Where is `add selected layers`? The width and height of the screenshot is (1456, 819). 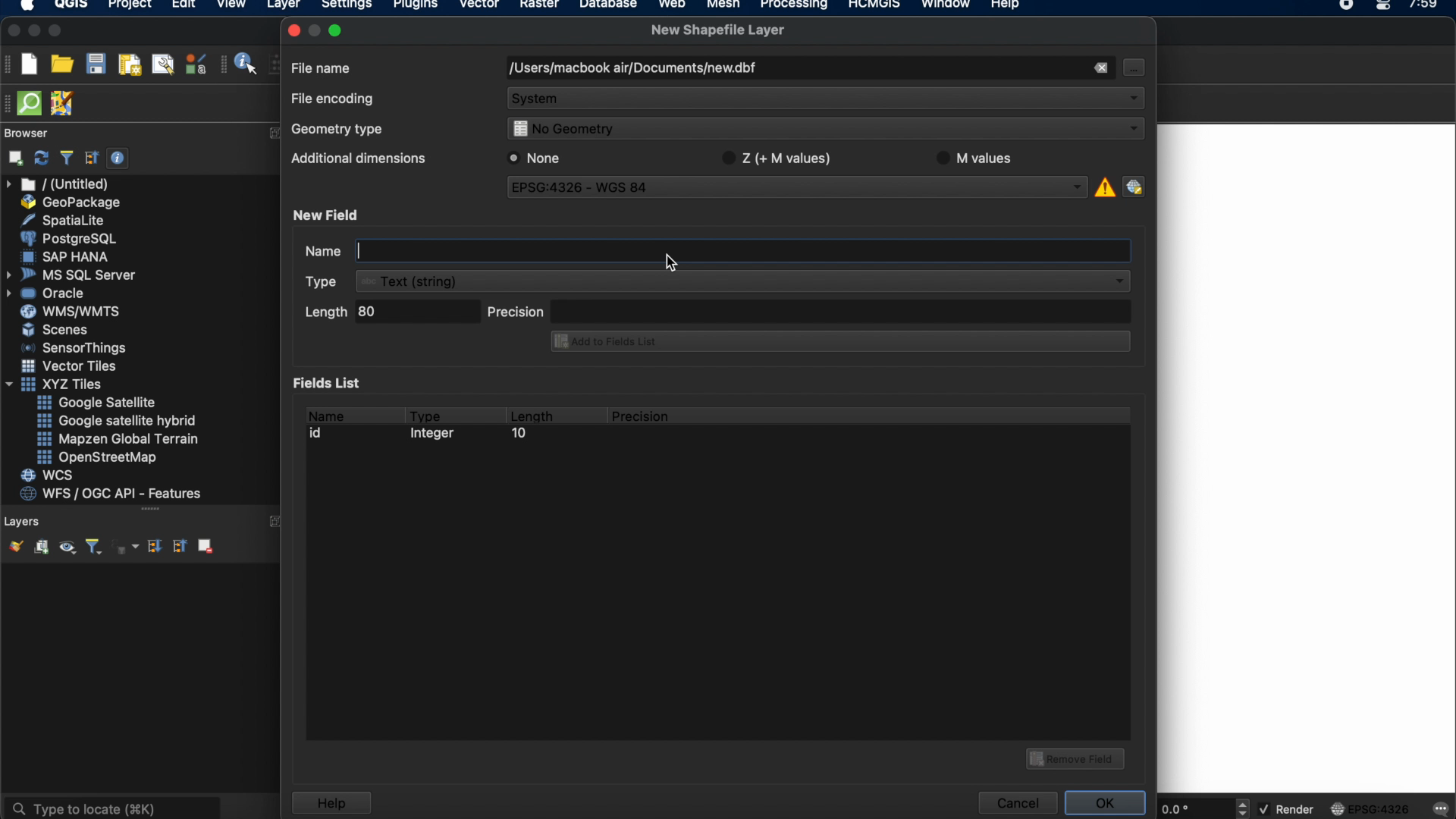
add selected layers is located at coordinates (13, 158).